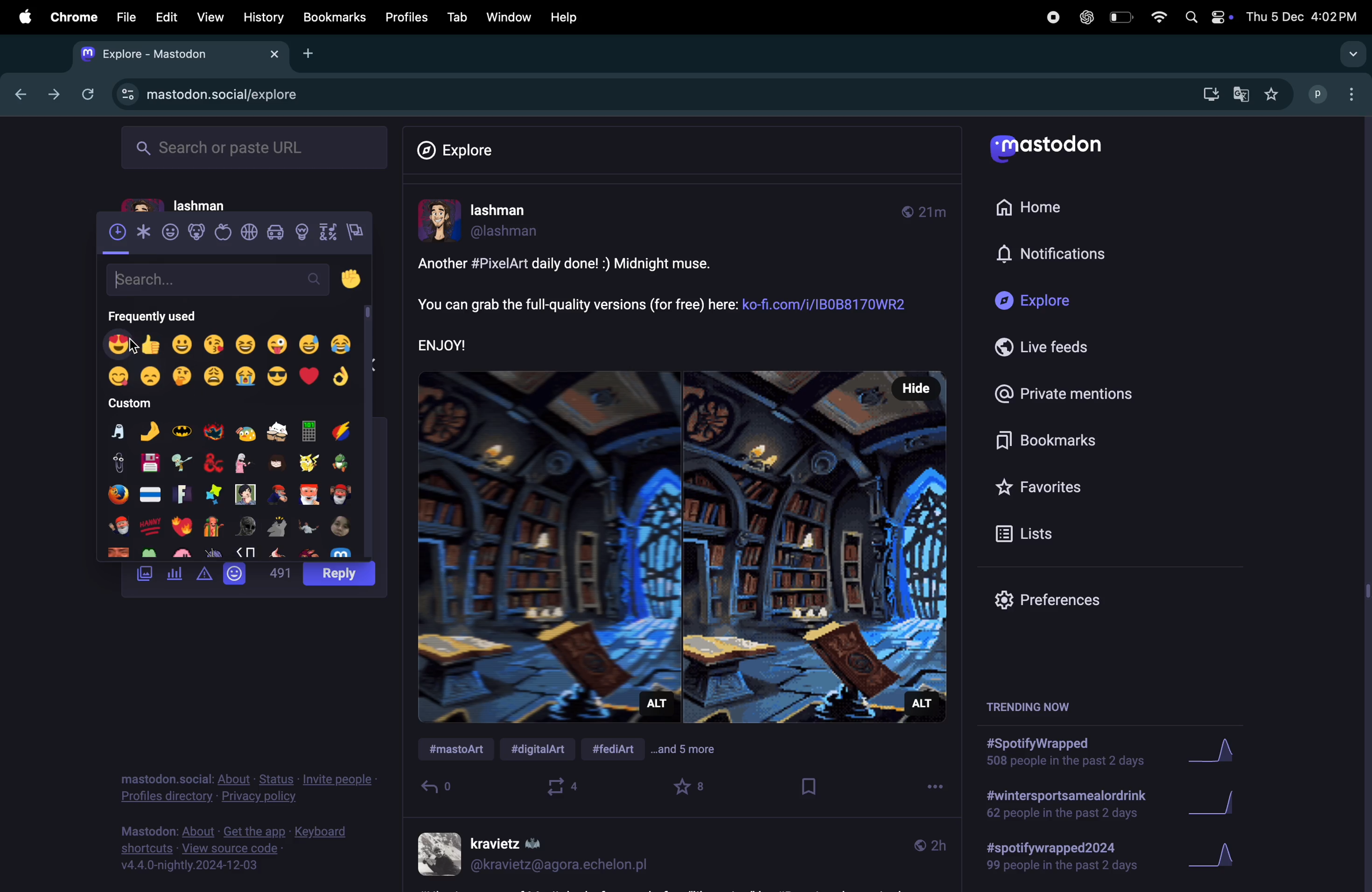  Describe the element at coordinates (439, 789) in the screenshot. I see `reply` at that location.